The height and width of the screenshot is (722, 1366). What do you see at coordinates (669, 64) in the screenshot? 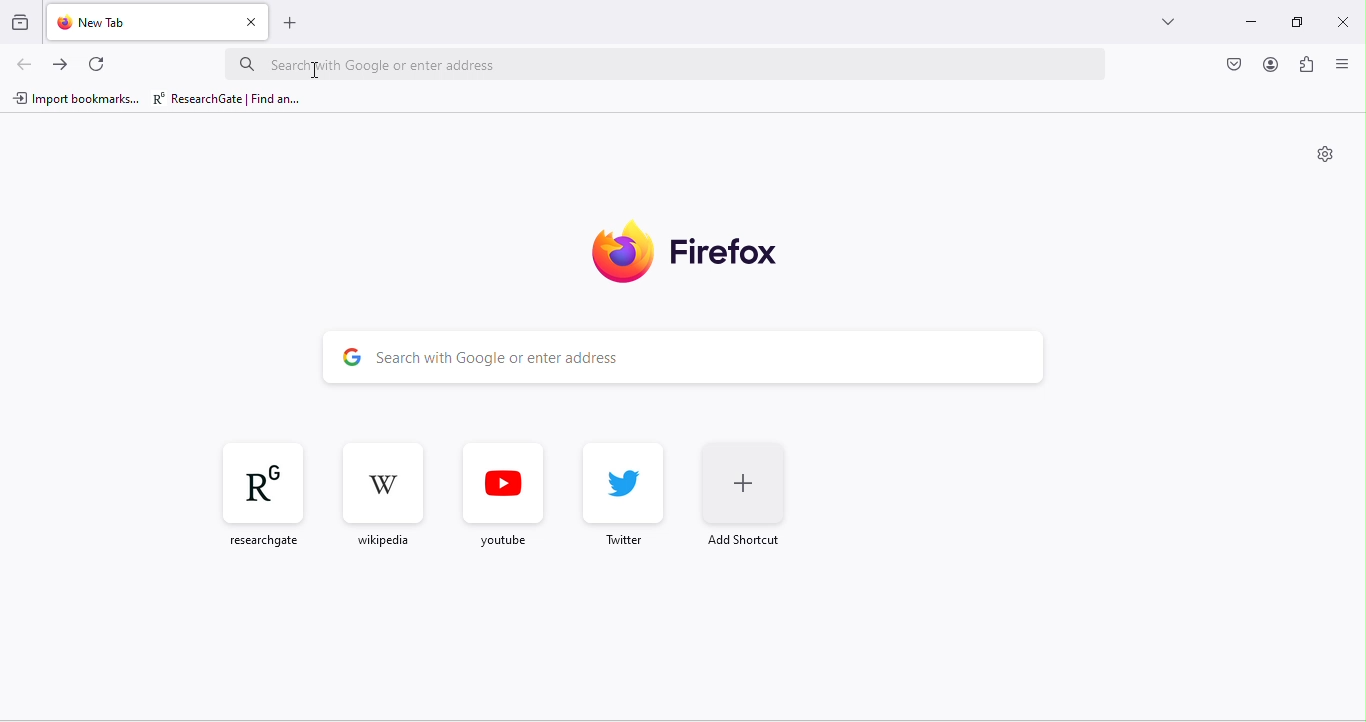
I see `search bar` at bounding box center [669, 64].